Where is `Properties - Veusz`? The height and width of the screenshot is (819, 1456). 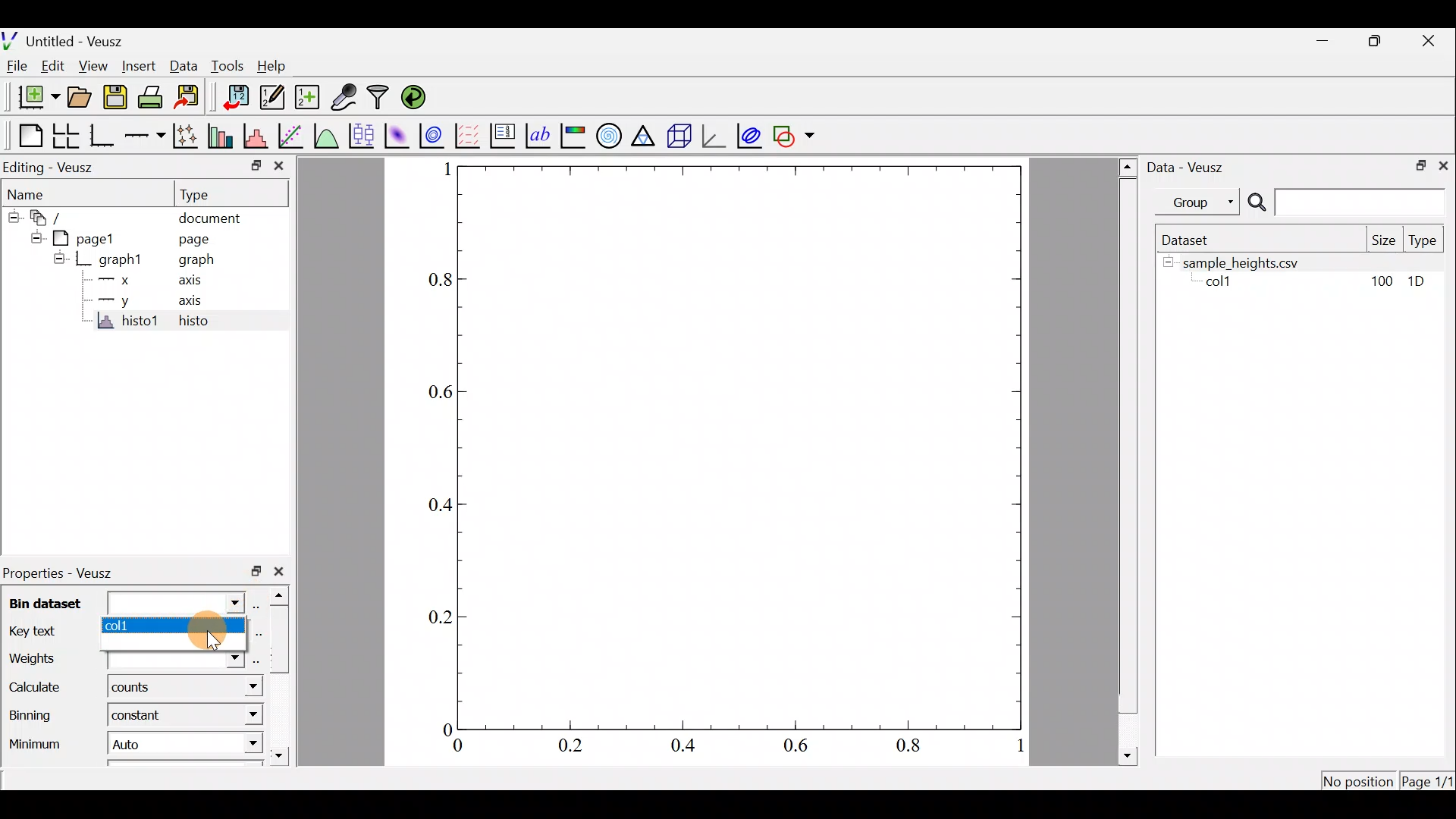 Properties - Veusz is located at coordinates (67, 571).